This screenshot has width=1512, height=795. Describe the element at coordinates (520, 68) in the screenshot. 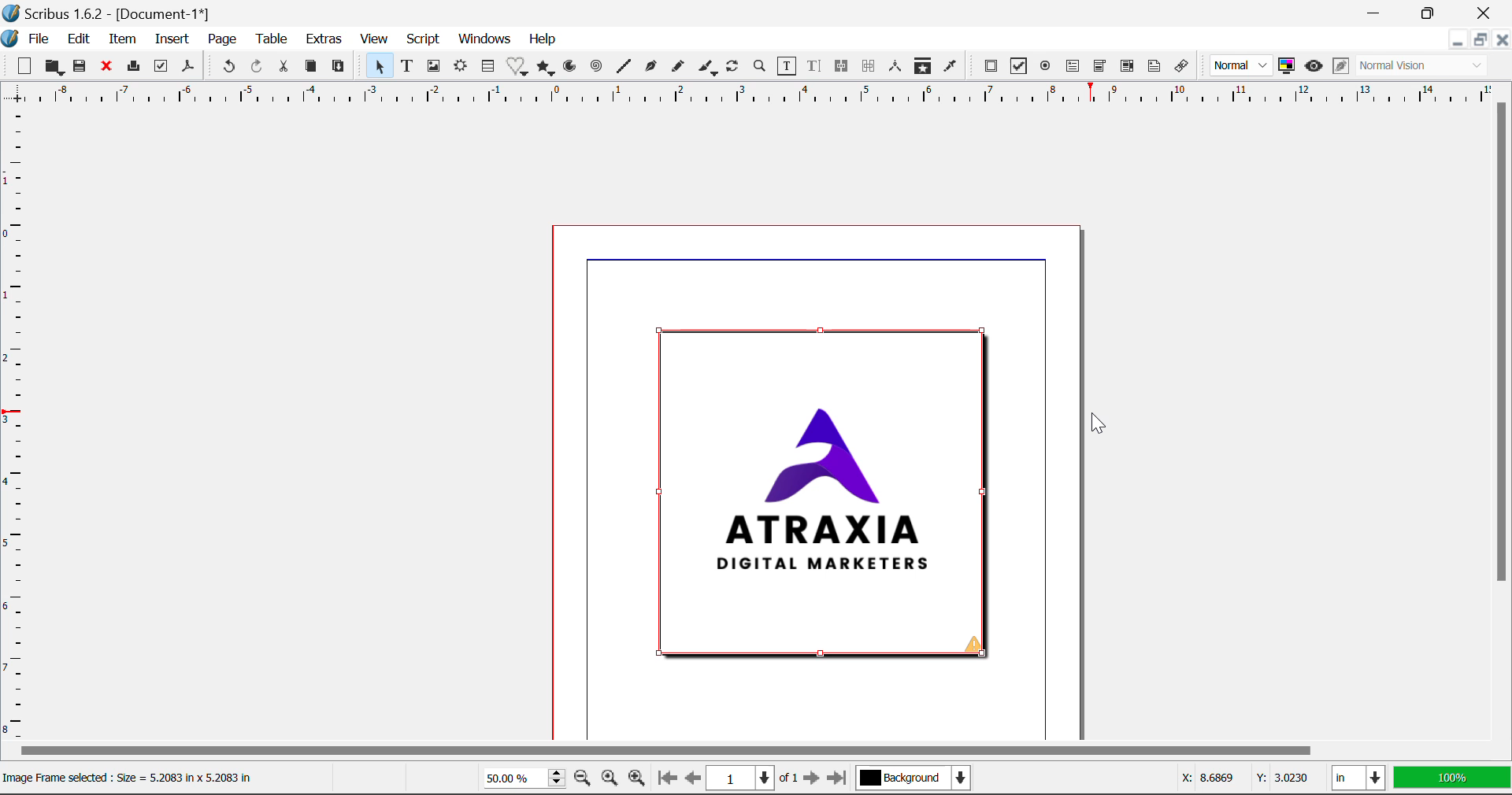

I see `Special Shapes` at that location.